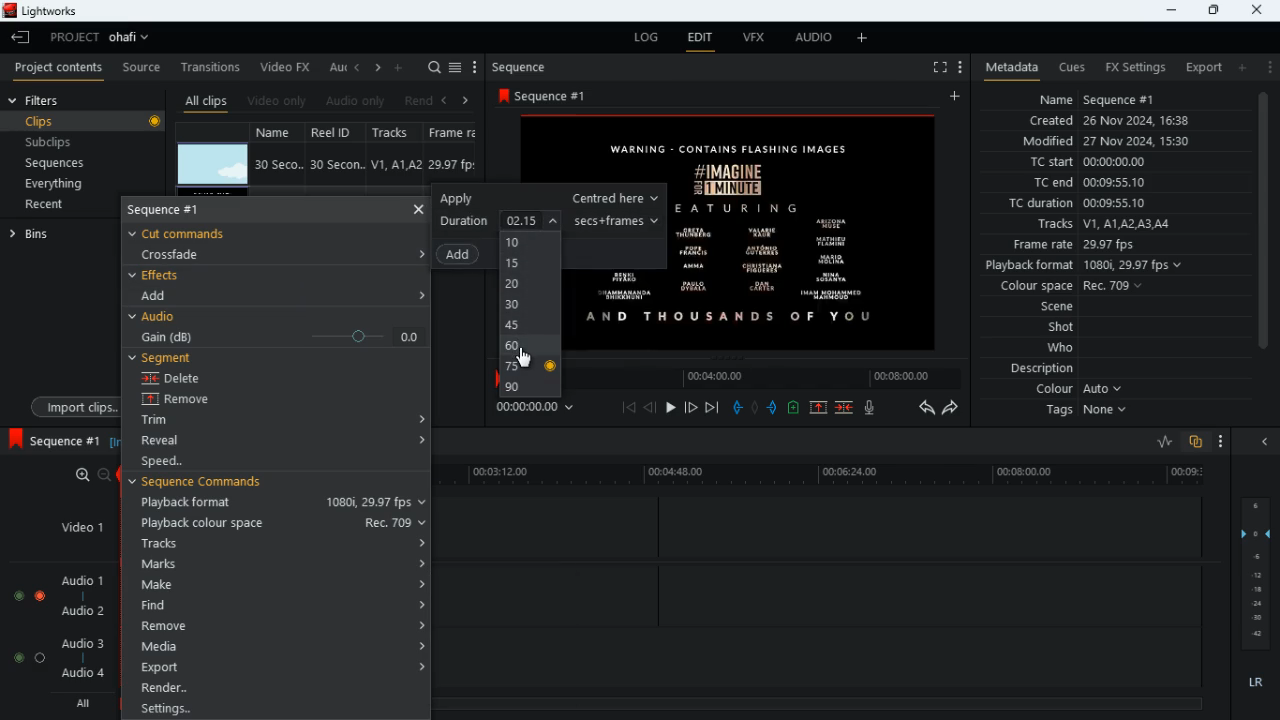 The image size is (1280, 720). Describe the element at coordinates (1197, 443) in the screenshot. I see `overlap` at that location.